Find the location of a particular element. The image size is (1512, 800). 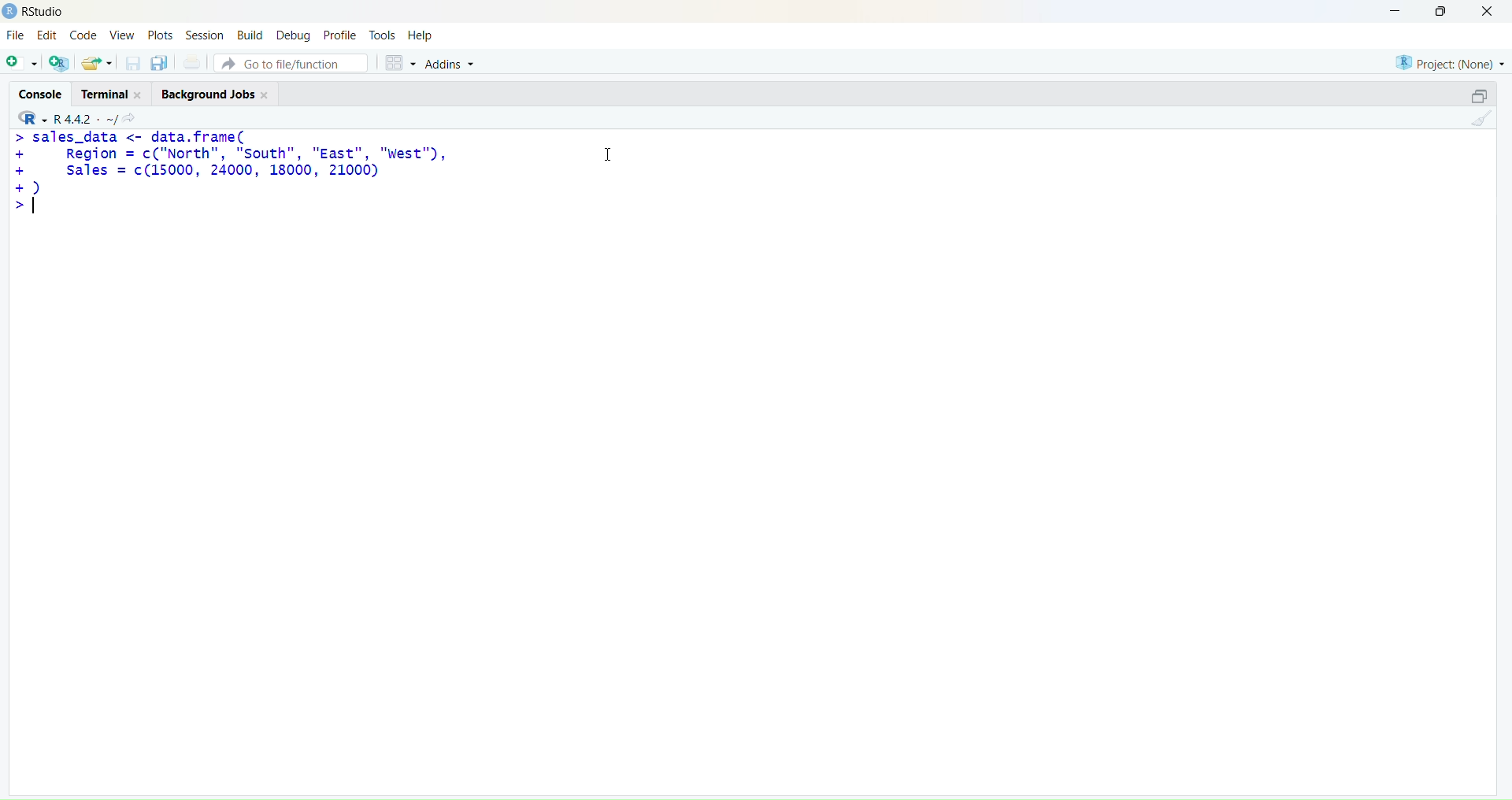

sales_data <- data.rtramelRegion = c("North", "South", "East", "West"),sales = c(15000, 24000, 18000, 21000) is located at coordinates (234, 172).